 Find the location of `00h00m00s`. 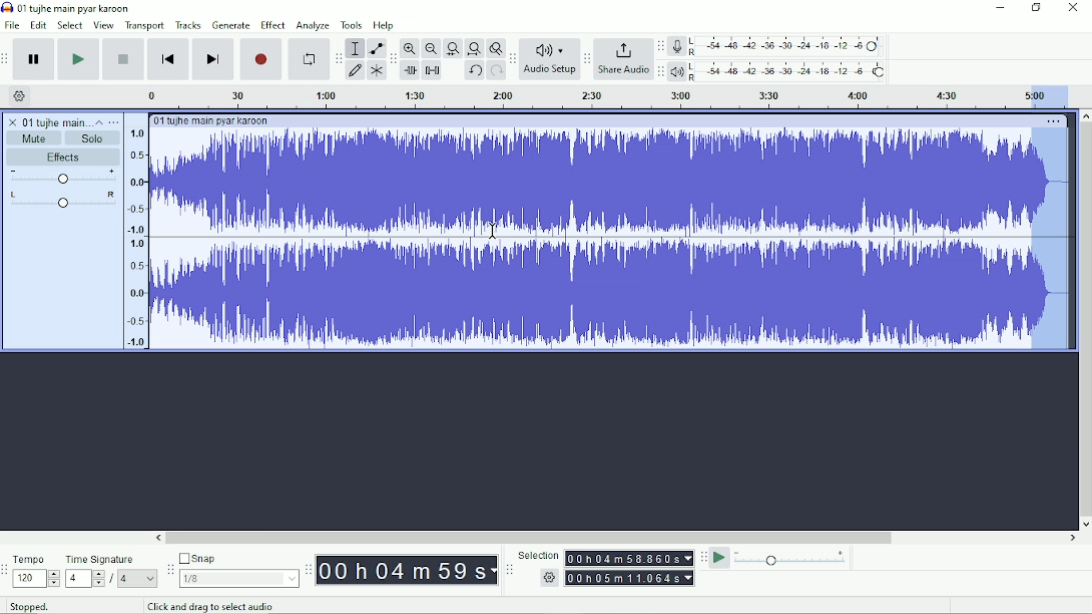

00h00m00s is located at coordinates (408, 571).